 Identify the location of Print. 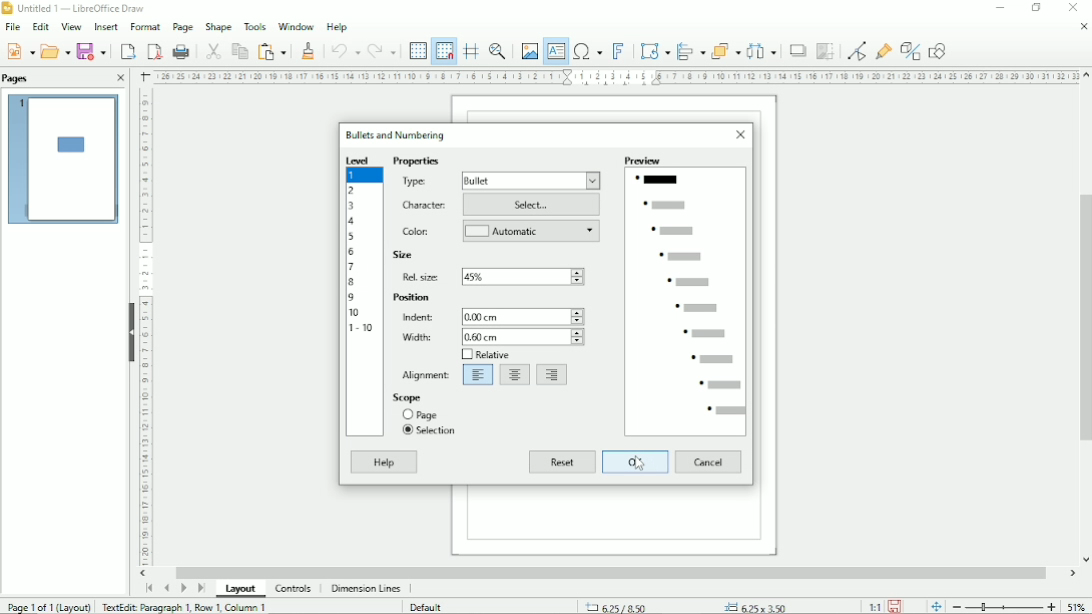
(181, 51).